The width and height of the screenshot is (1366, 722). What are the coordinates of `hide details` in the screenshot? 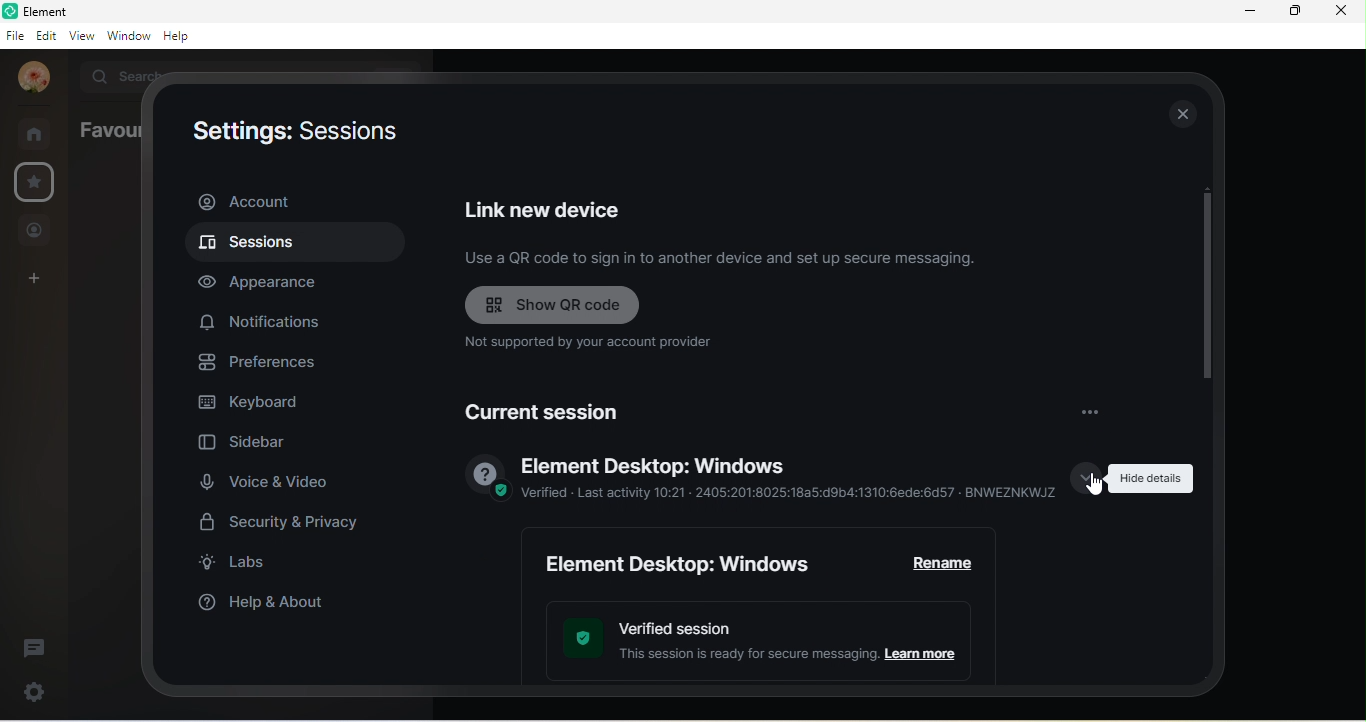 It's located at (1150, 481).